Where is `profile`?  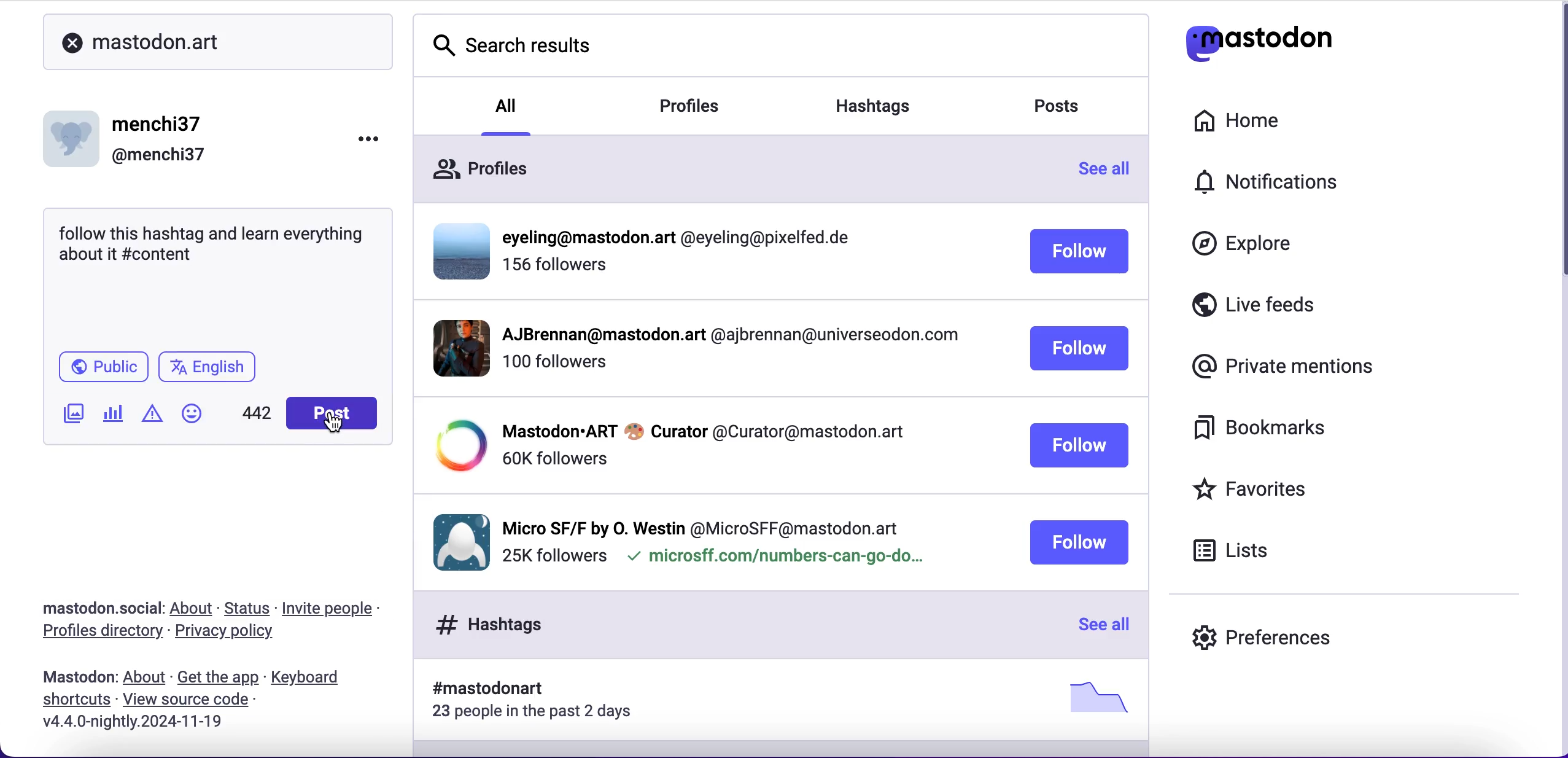 profile is located at coordinates (728, 338).